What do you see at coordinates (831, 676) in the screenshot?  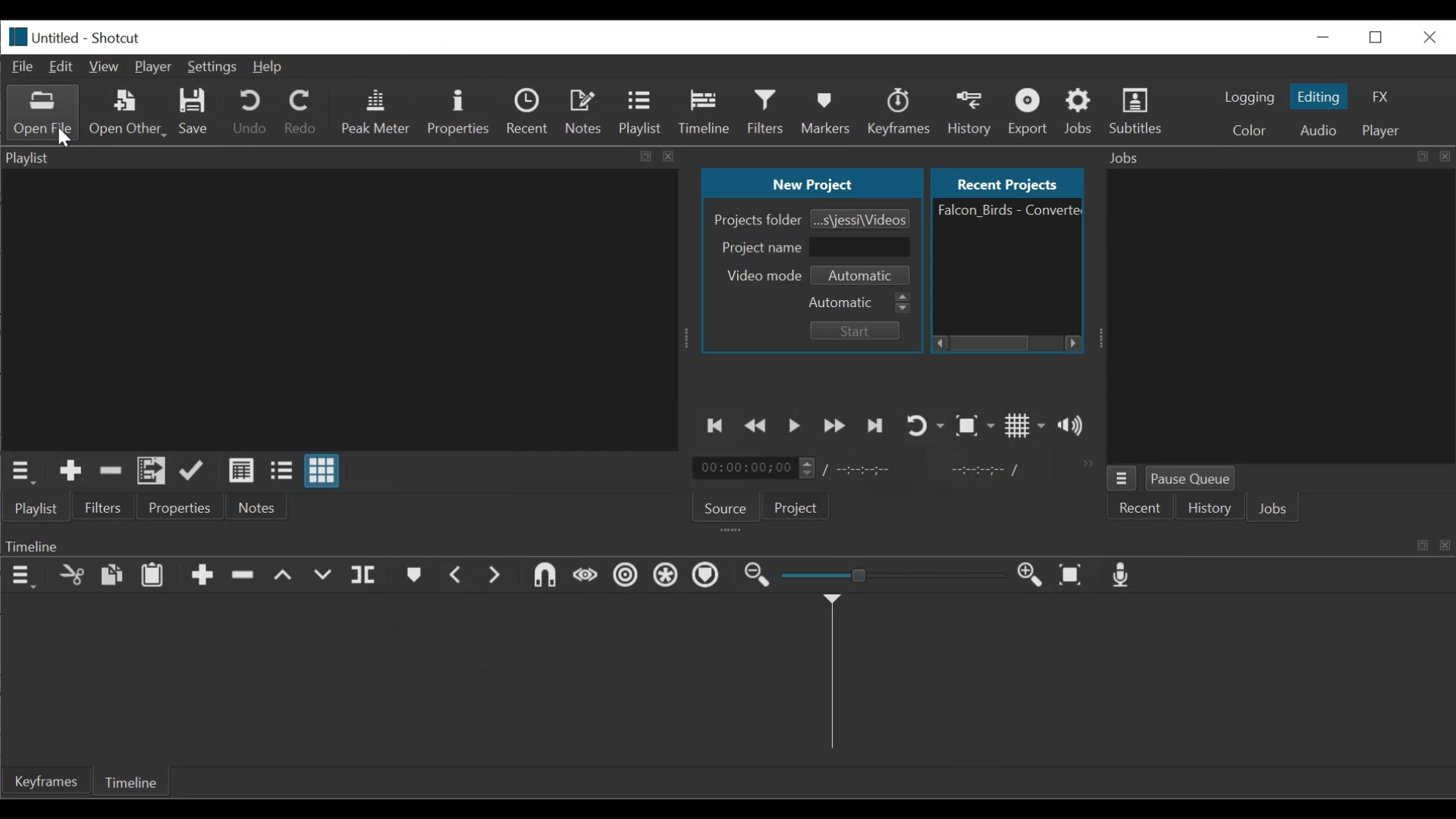 I see `Timeline cursor` at bounding box center [831, 676].